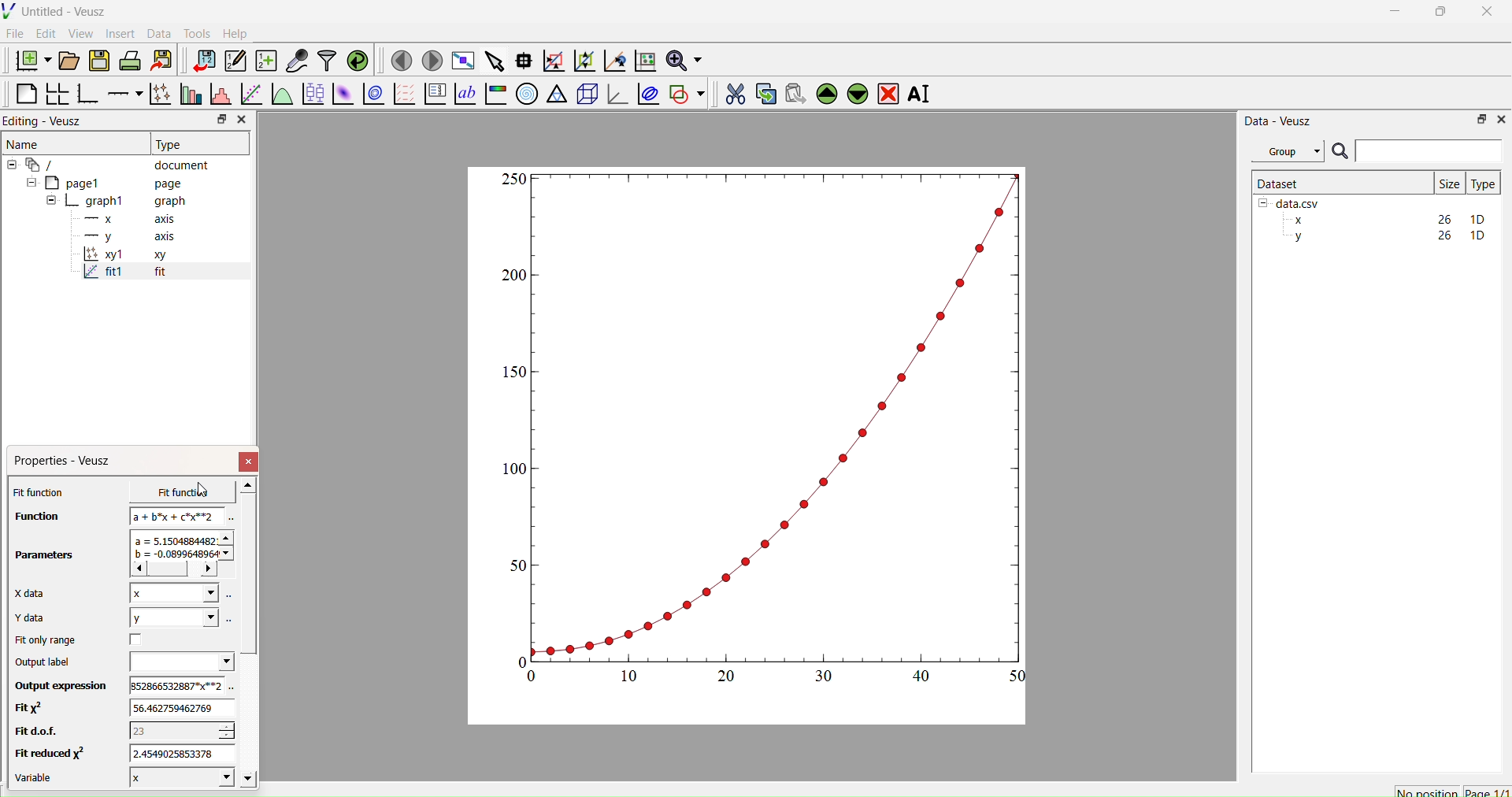 The width and height of the screenshot is (1512, 797). Describe the element at coordinates (1279, 183) in the screenshot. I see `Dataset` at that location.